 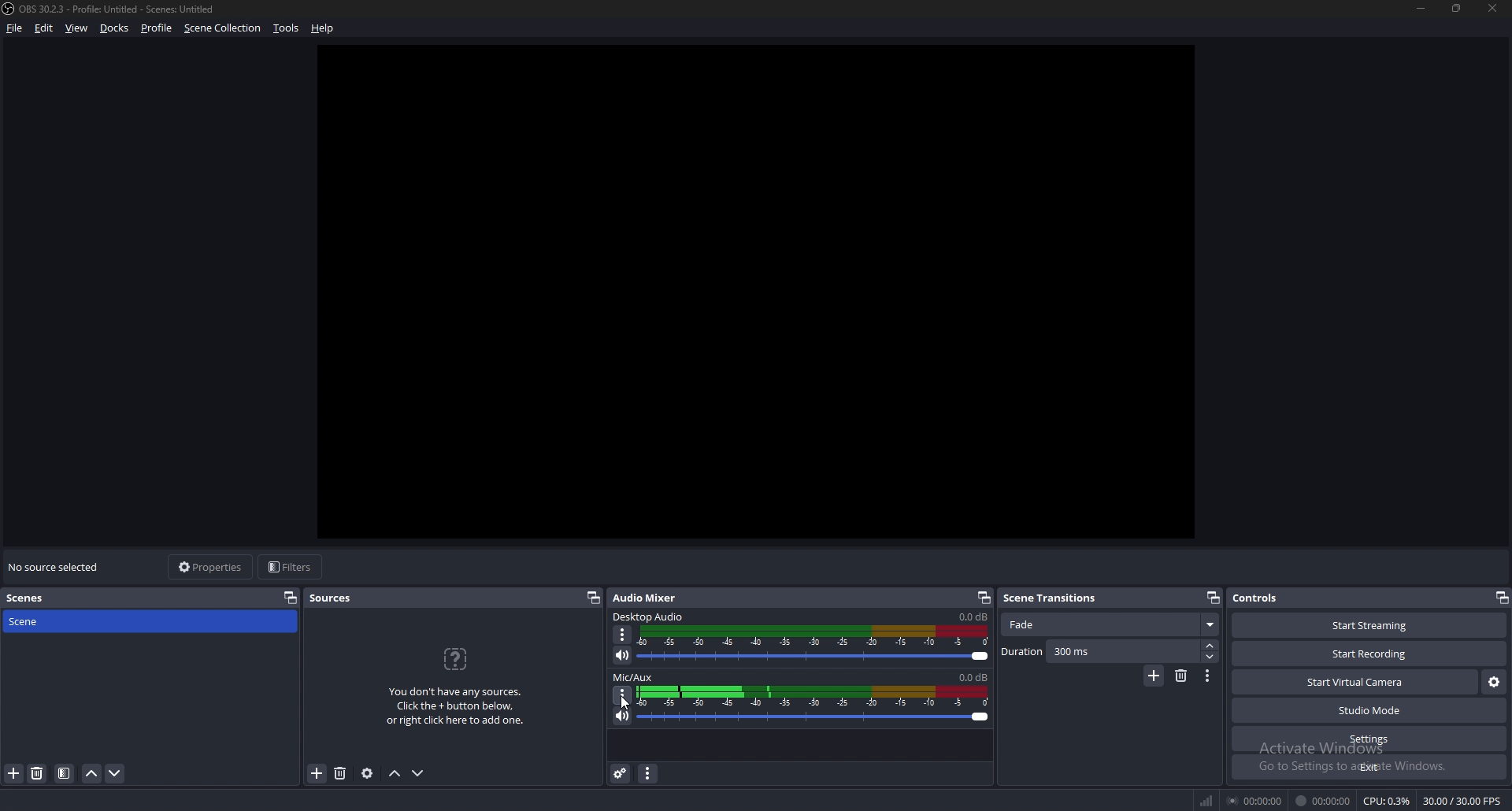 What do you see at coordinates (395, 774) in the screenshot?
I see `move source up` at bounding box center [395, 774].